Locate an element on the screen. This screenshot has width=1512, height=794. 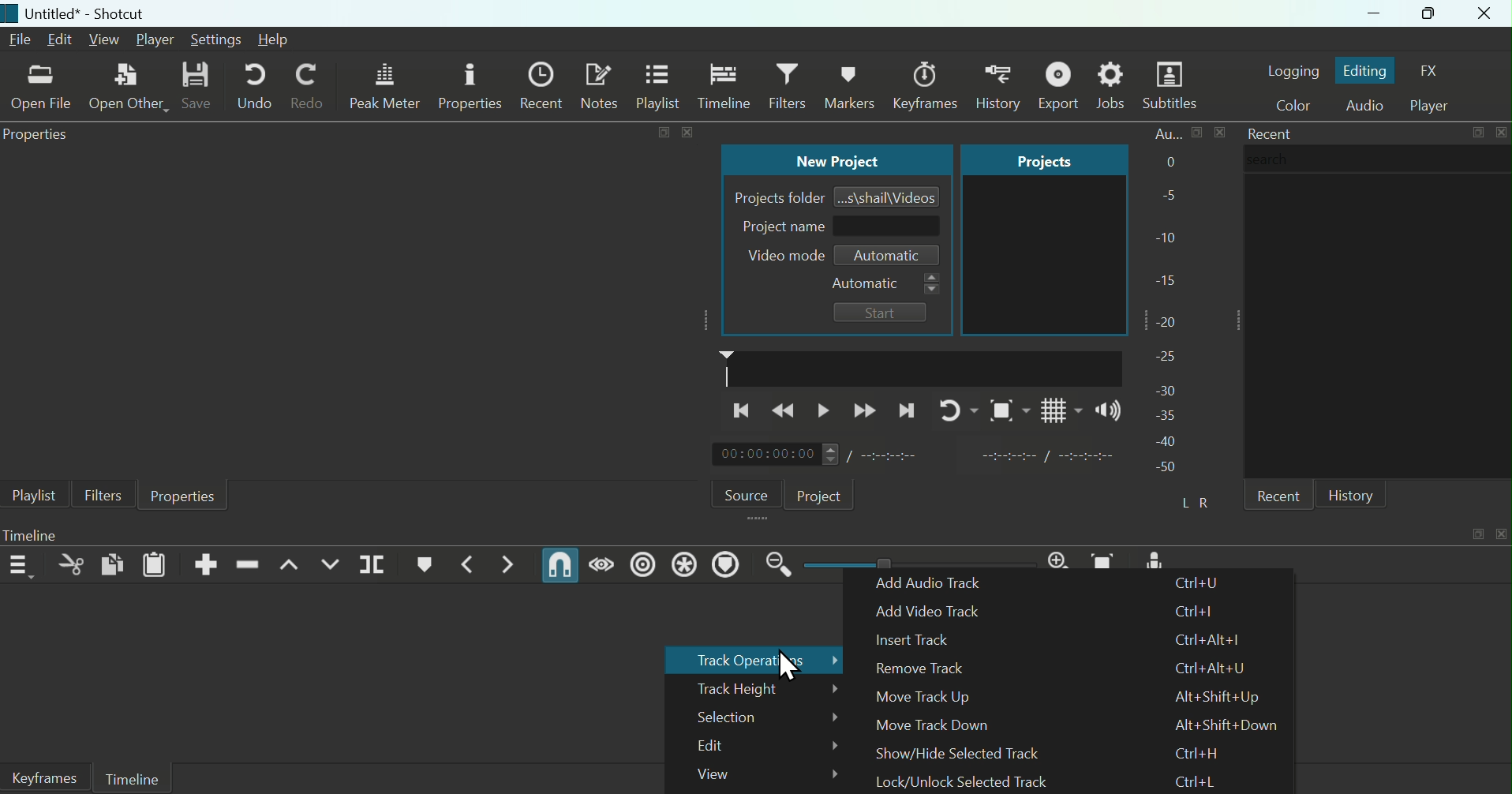
Insert Track is located at coordinates (939, 640).